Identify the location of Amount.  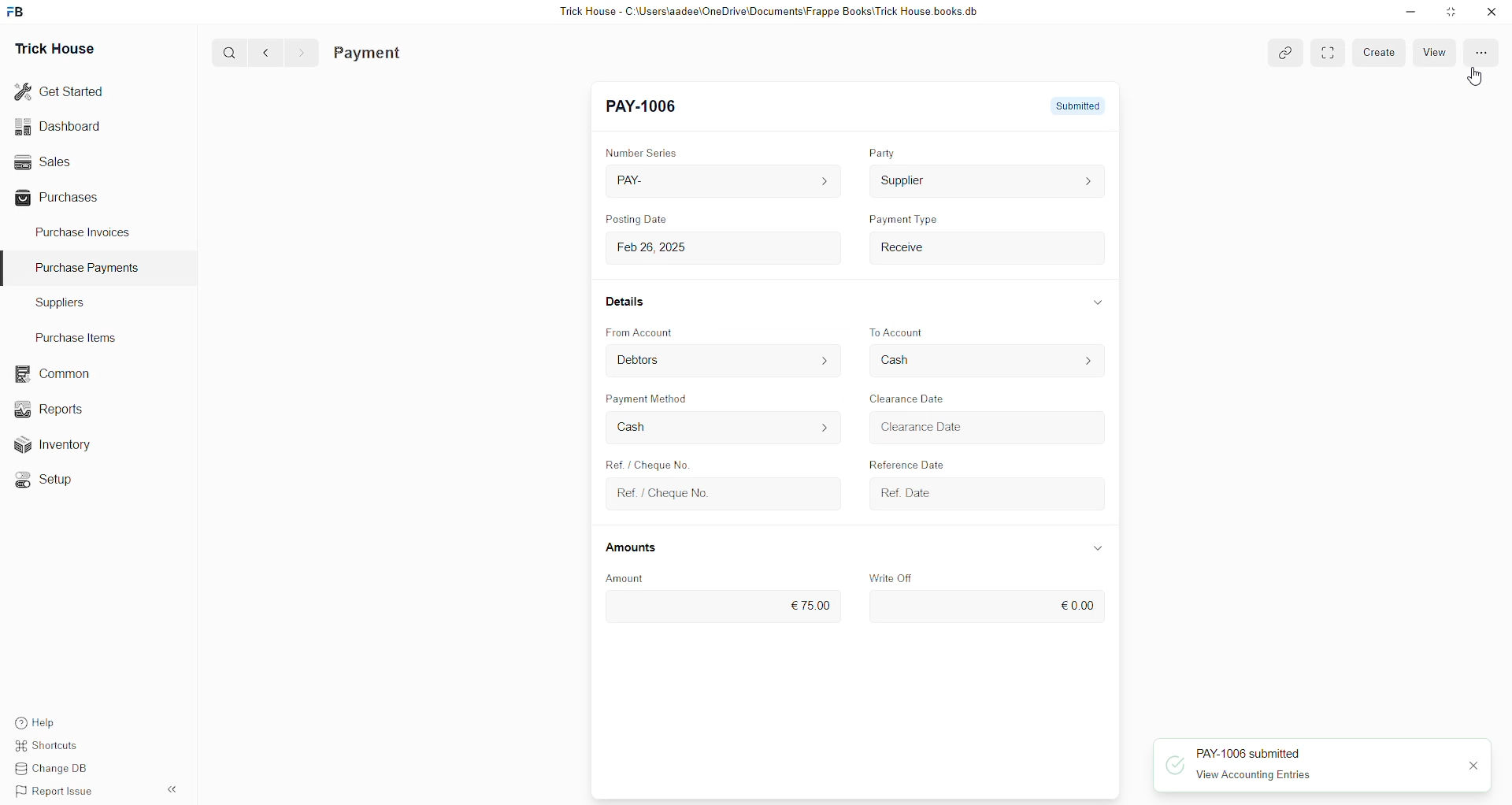
(634, 577).